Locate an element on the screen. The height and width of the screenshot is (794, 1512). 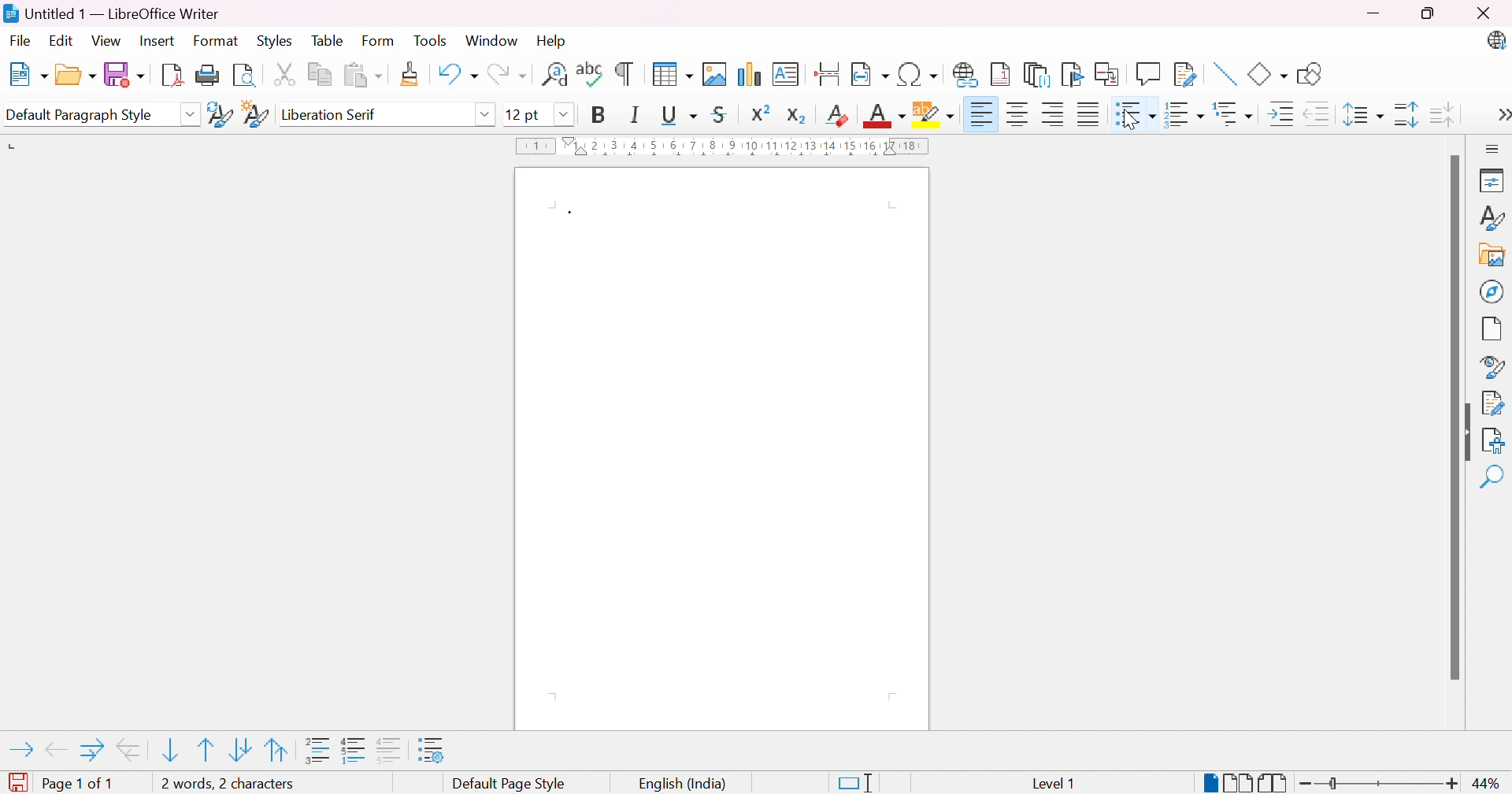
Tools is located at coordinates (430, 40).